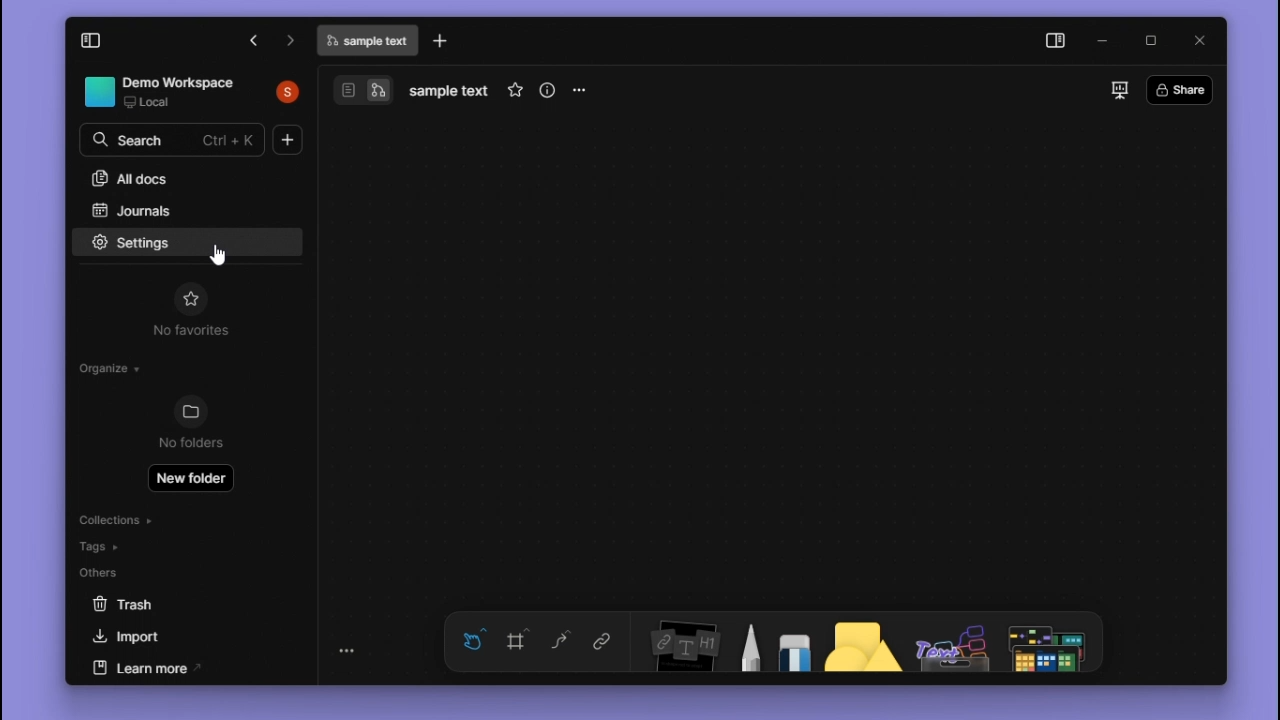 The height and width of the screenshot is (720, 1280). I want to click on cursor, so click(218, 256).